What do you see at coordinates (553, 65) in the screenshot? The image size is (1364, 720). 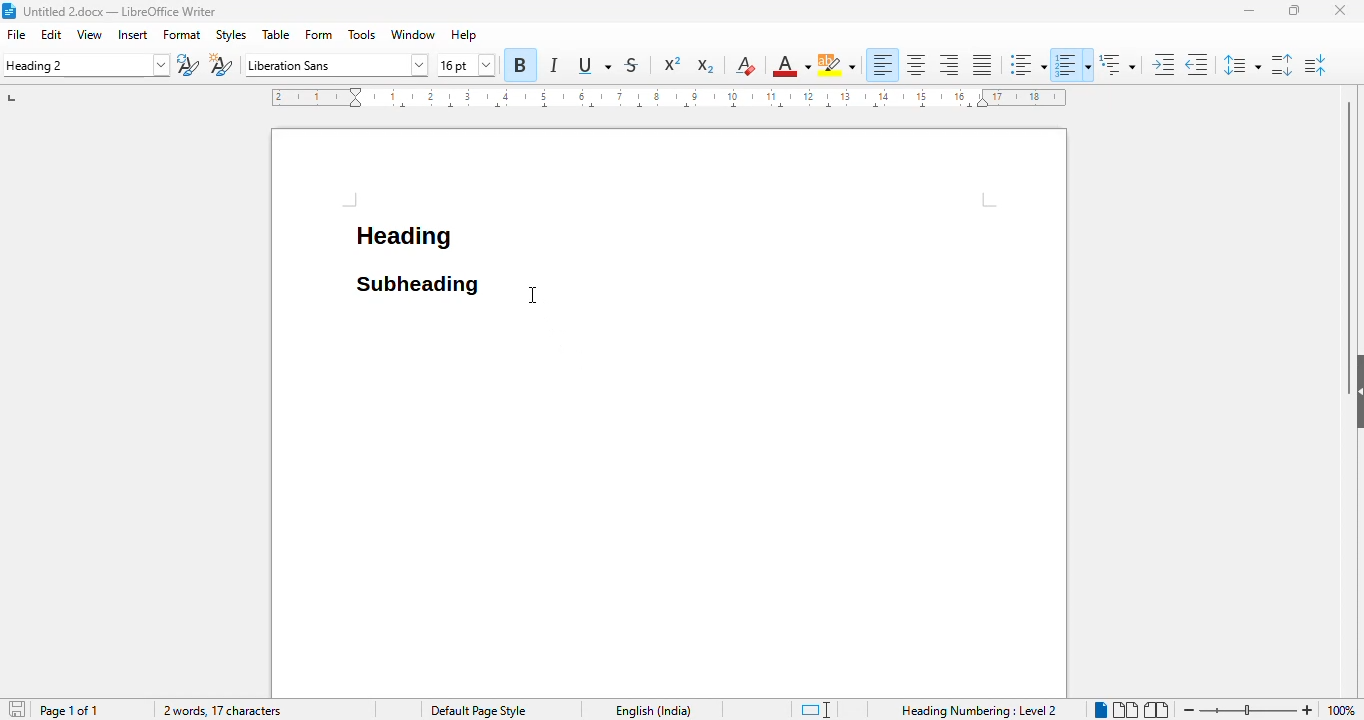 I see `italic` at bounding box center [553, 65].